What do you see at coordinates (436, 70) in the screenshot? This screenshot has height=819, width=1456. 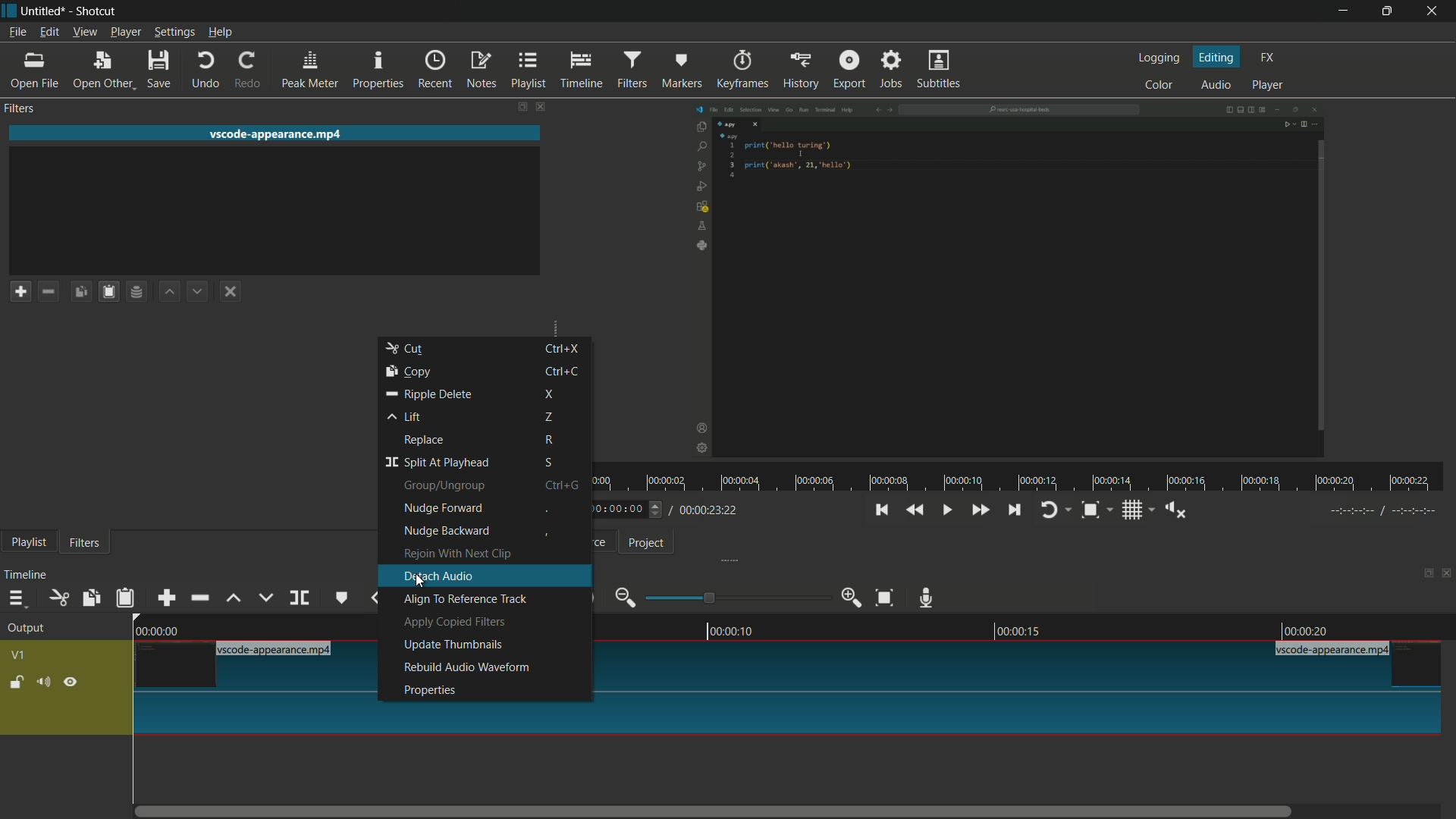 I see `recent` at bounding box center [436, 70].